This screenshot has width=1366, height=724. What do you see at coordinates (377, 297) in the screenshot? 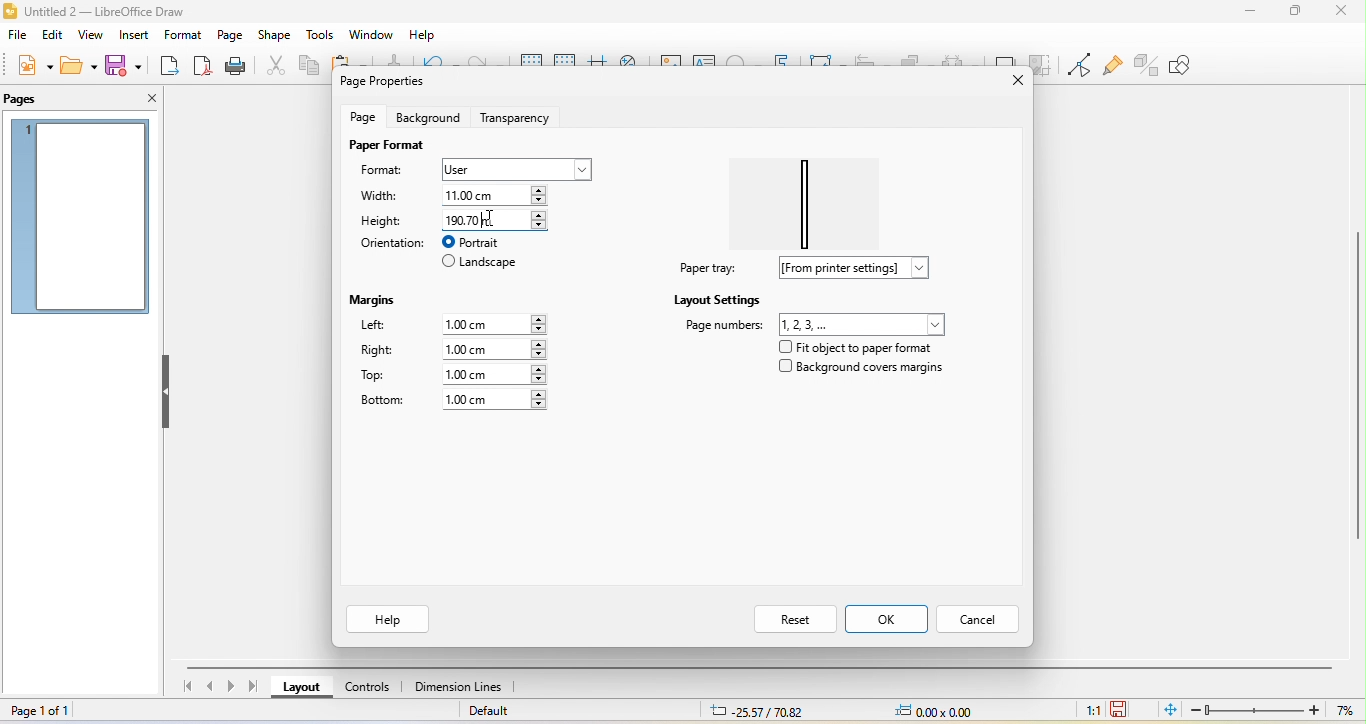
I see `margins` at bounding box center [377, 297].